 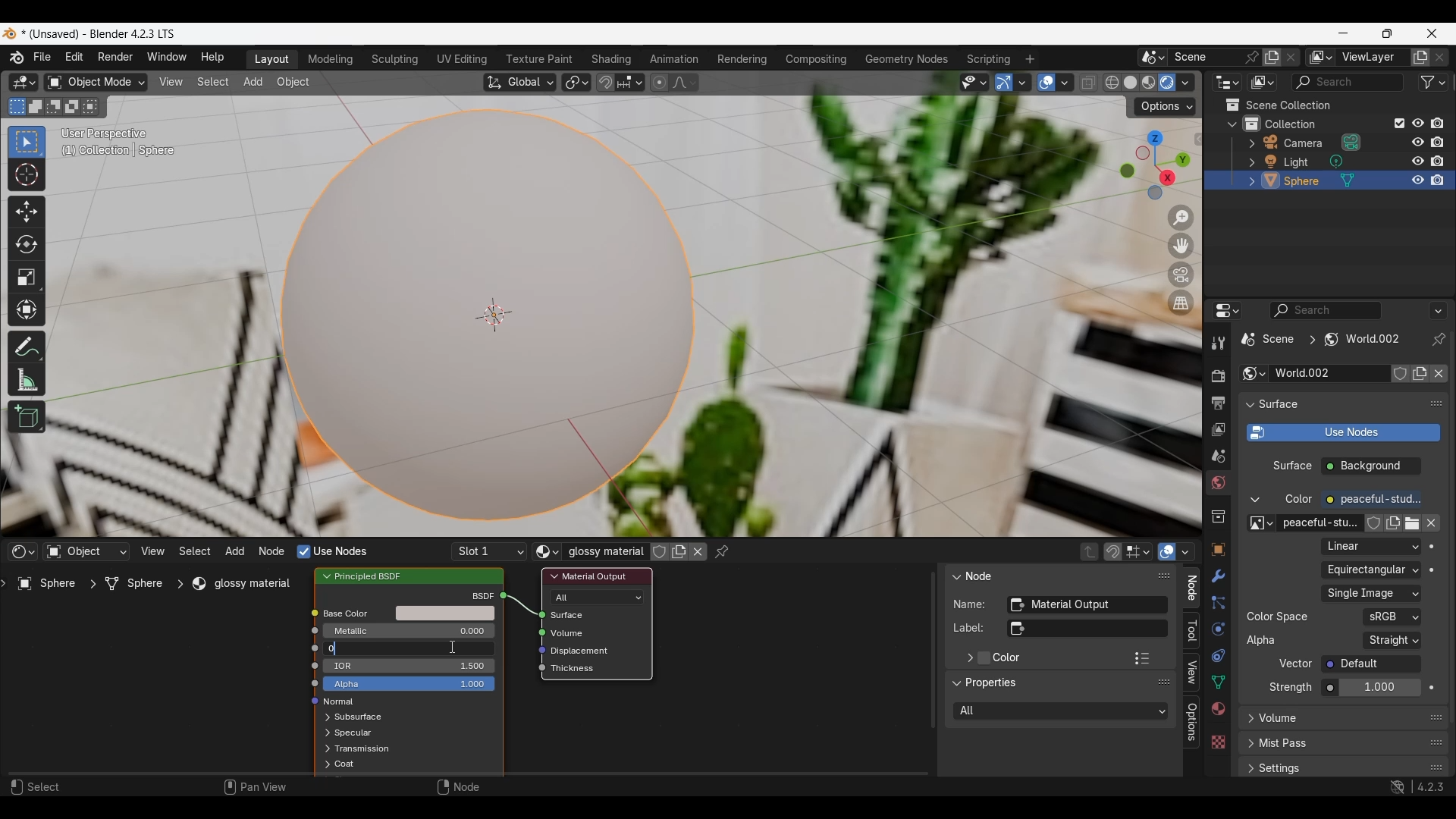 I want to click on View layer name, so click(x=1372, y=58).